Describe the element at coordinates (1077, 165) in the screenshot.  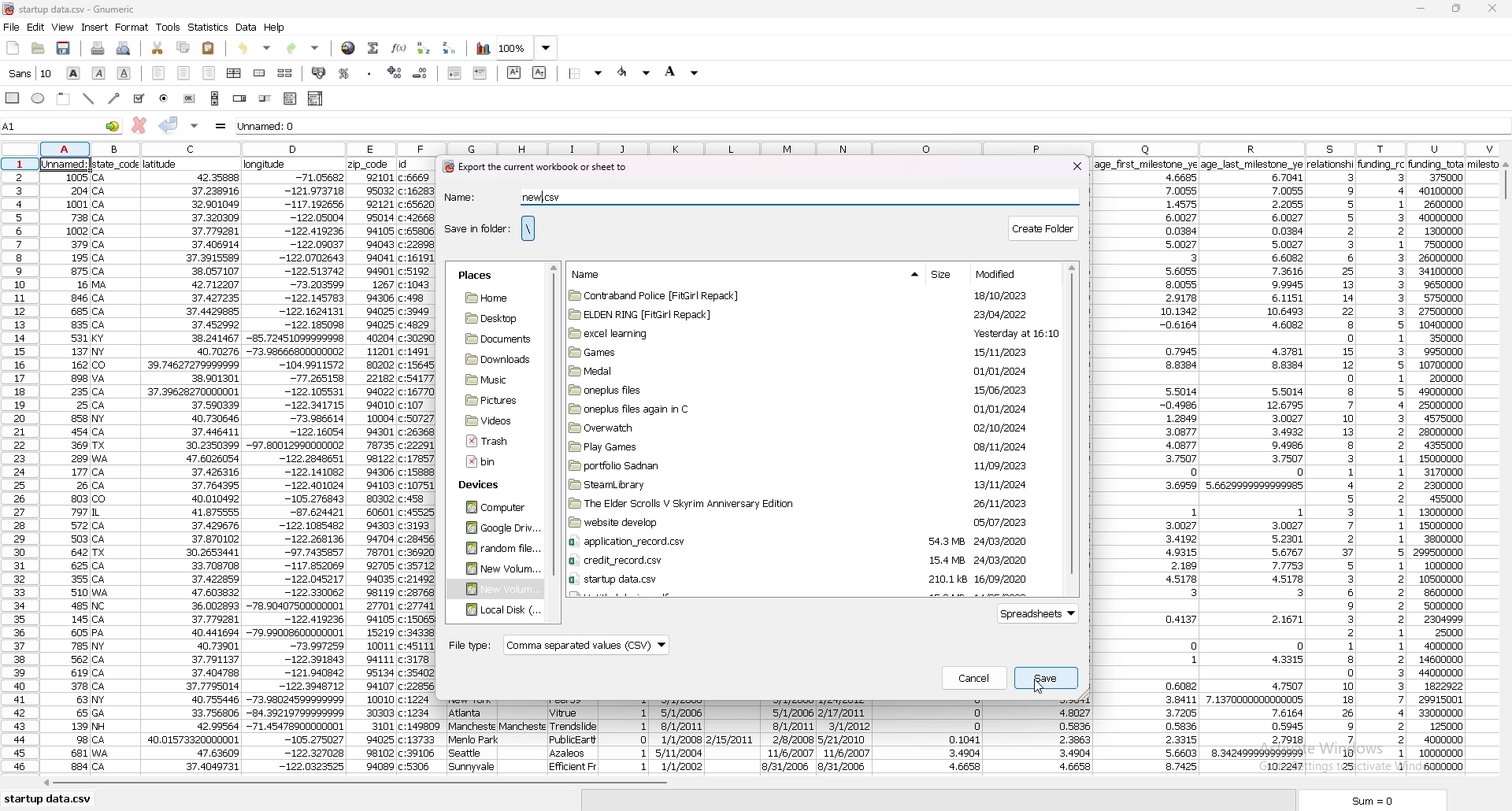
I see `close` at that location.